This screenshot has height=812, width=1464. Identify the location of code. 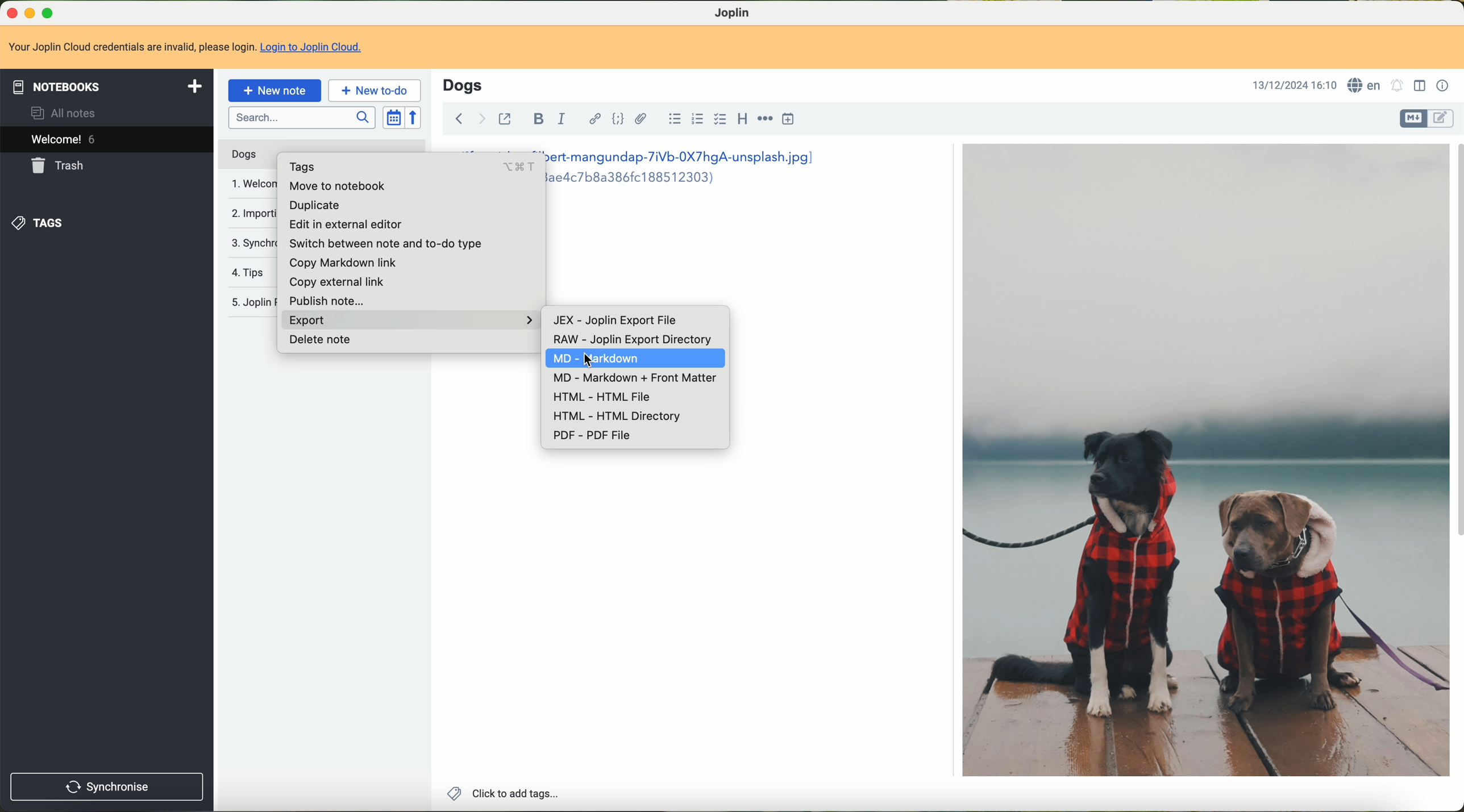
(619, 120).